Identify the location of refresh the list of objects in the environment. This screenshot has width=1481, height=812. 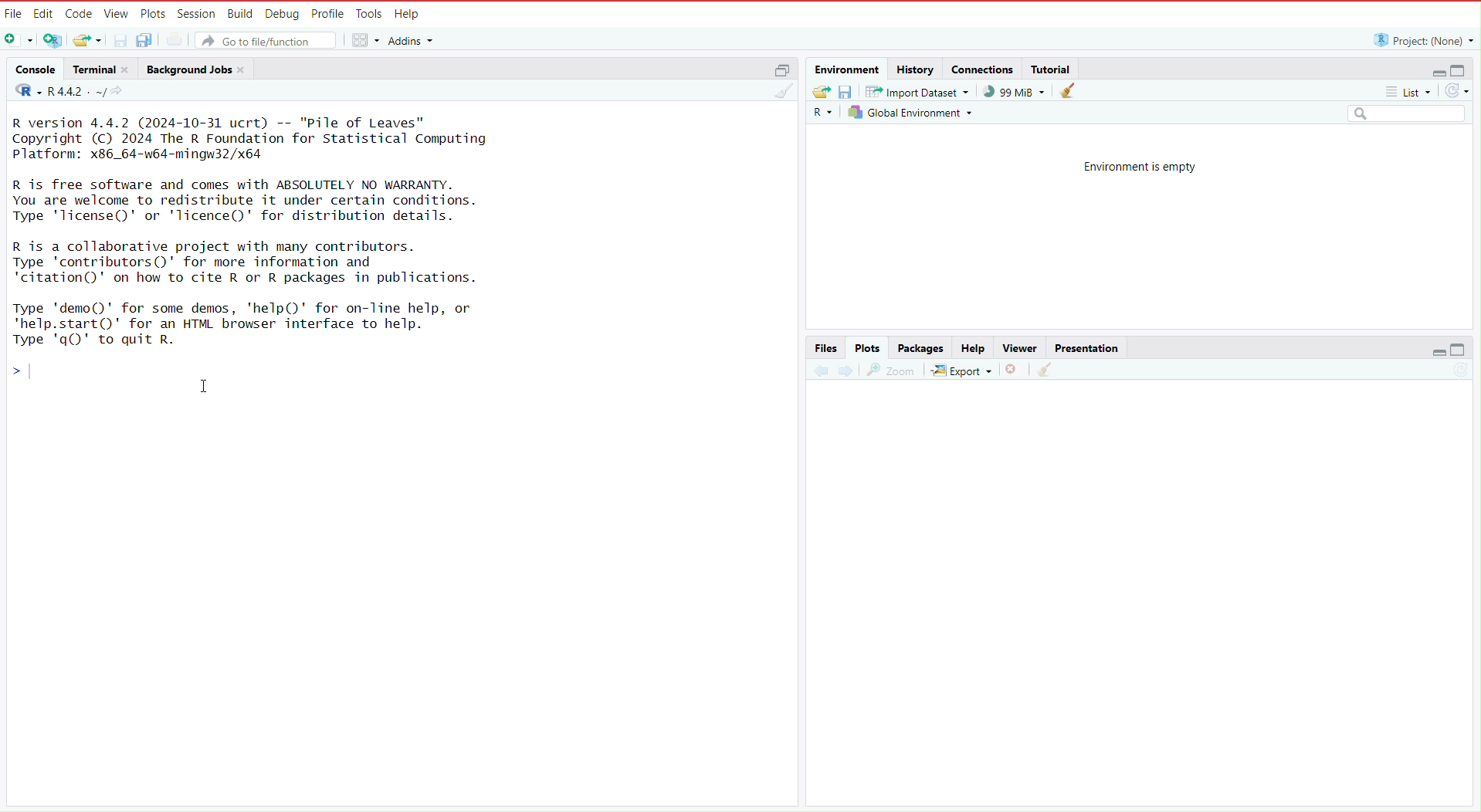
(1462, 92).